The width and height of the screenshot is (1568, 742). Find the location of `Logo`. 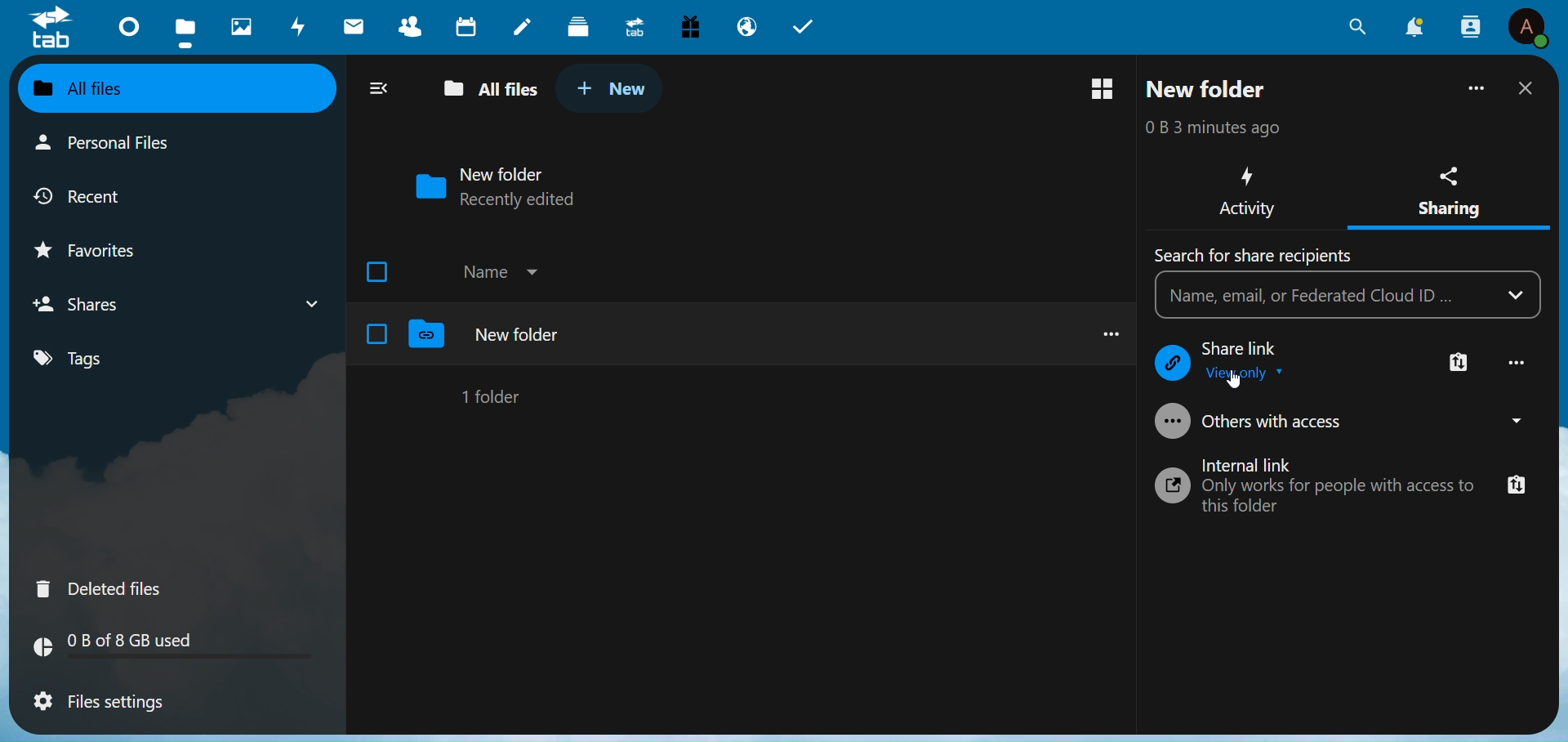

Logo is located at coordinates (52, 30).